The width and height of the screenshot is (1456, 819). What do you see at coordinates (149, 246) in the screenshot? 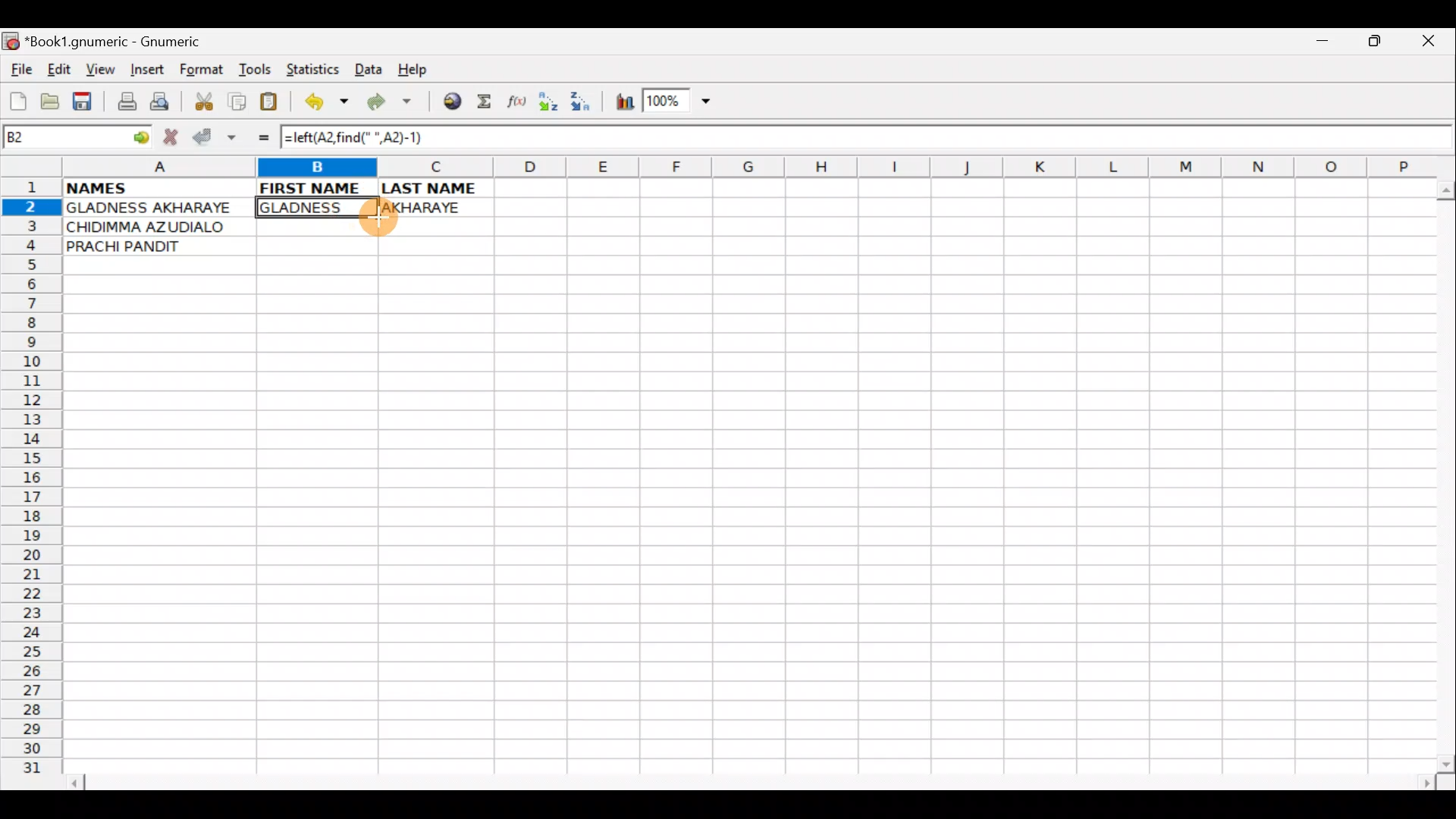
I see `PRACHI PANDIT` at bounding box center [149, 246].